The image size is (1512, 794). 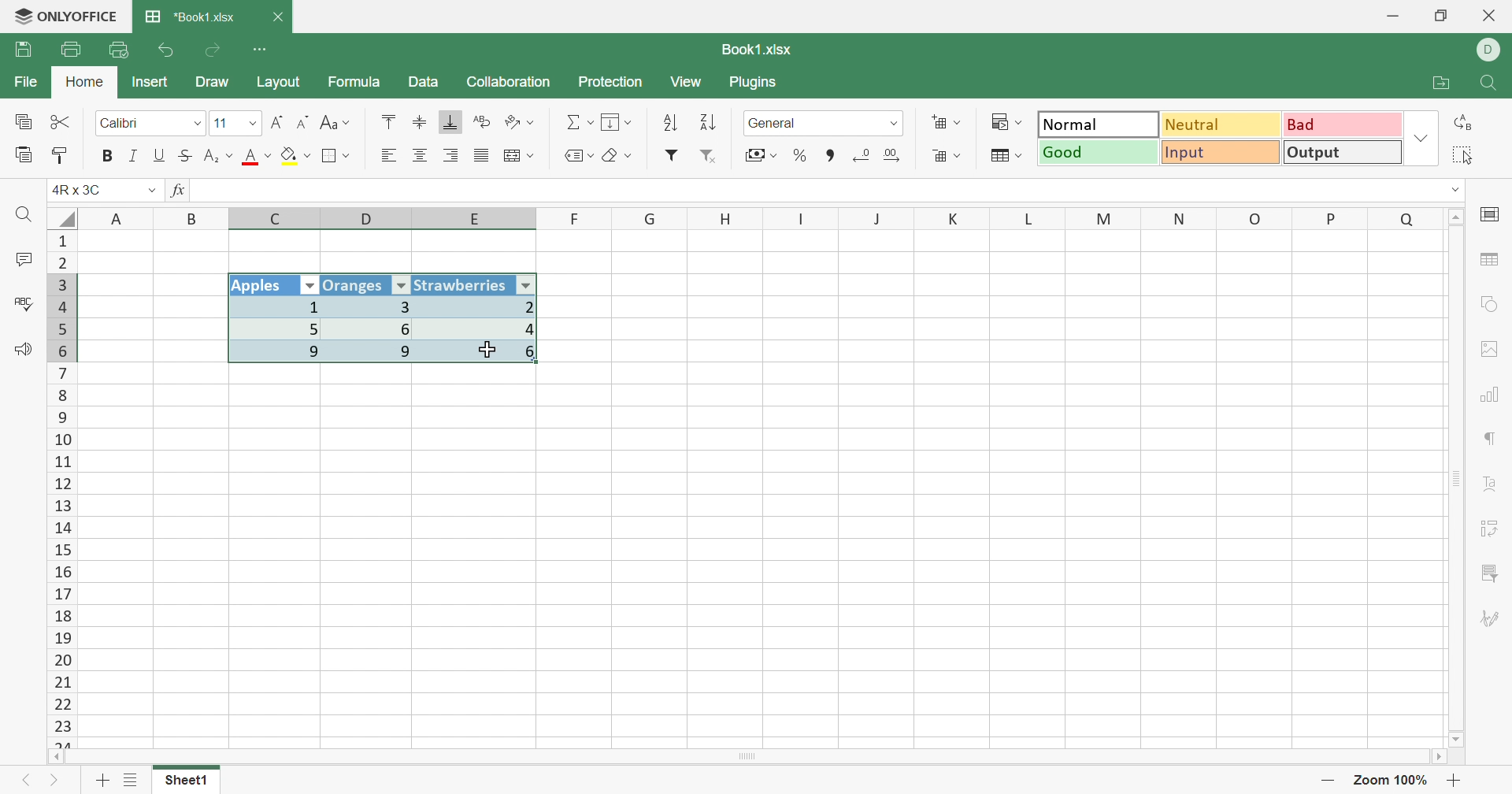 What do you see at coordinates (1467, 122) in the screenshot?
I see `Replace` at bounding box center [1467, 122].